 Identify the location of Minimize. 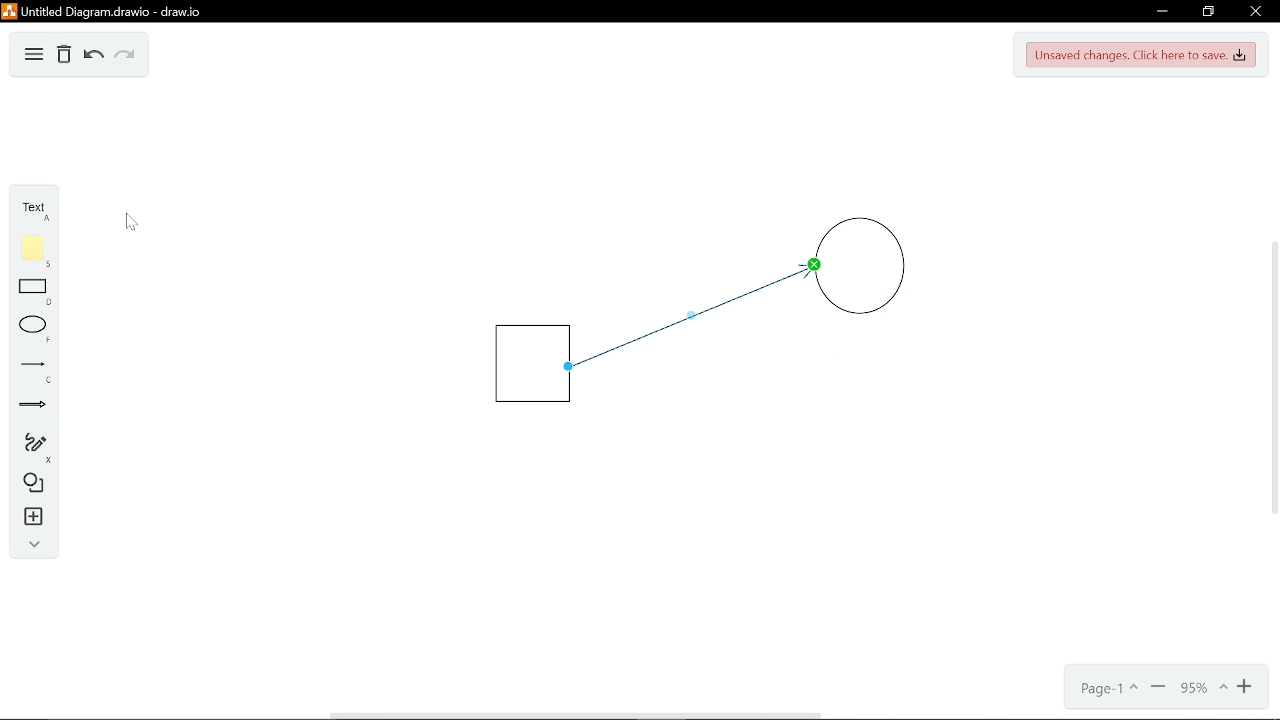
(1162, 12).